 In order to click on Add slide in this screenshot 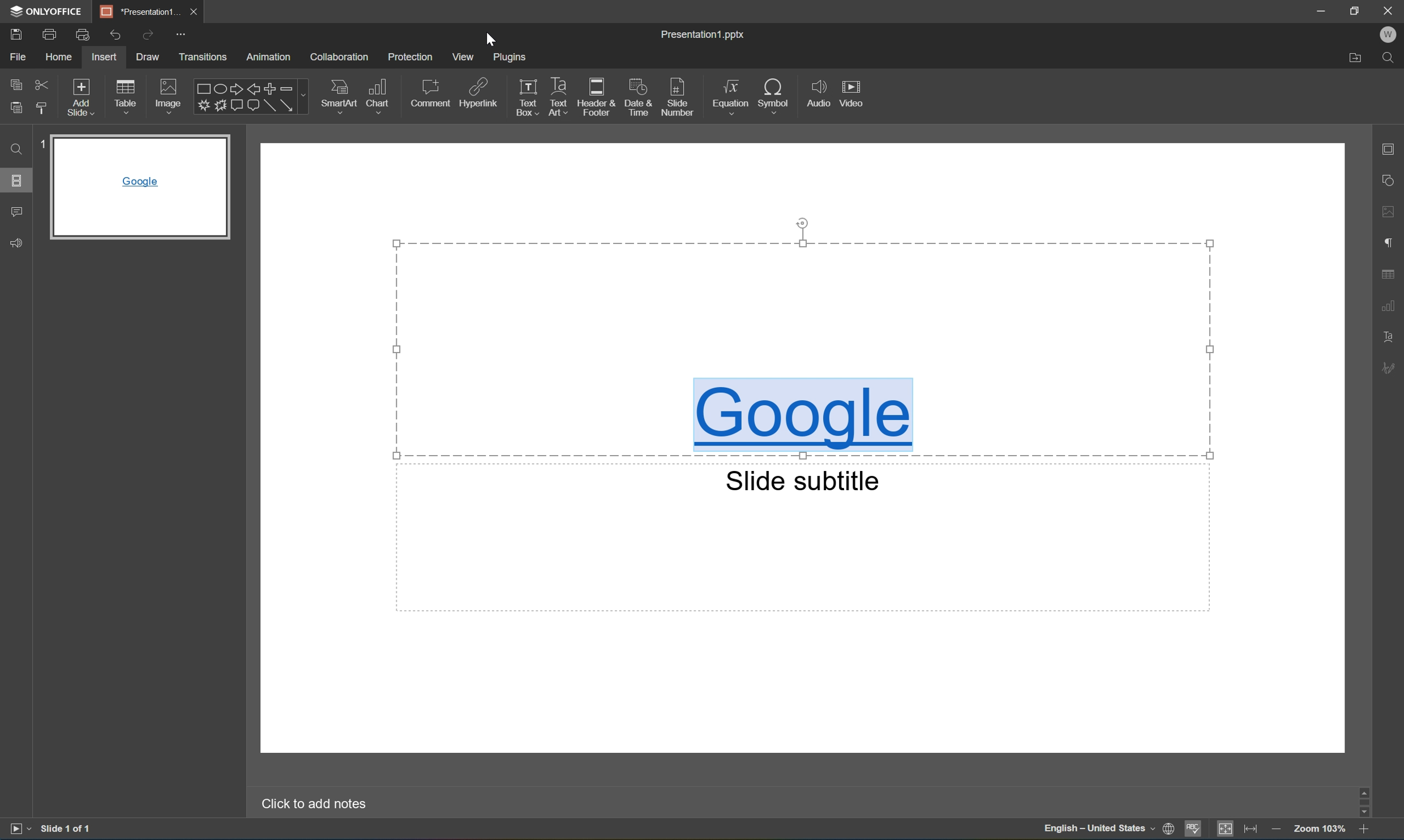, I will do `click(84, 97)`.